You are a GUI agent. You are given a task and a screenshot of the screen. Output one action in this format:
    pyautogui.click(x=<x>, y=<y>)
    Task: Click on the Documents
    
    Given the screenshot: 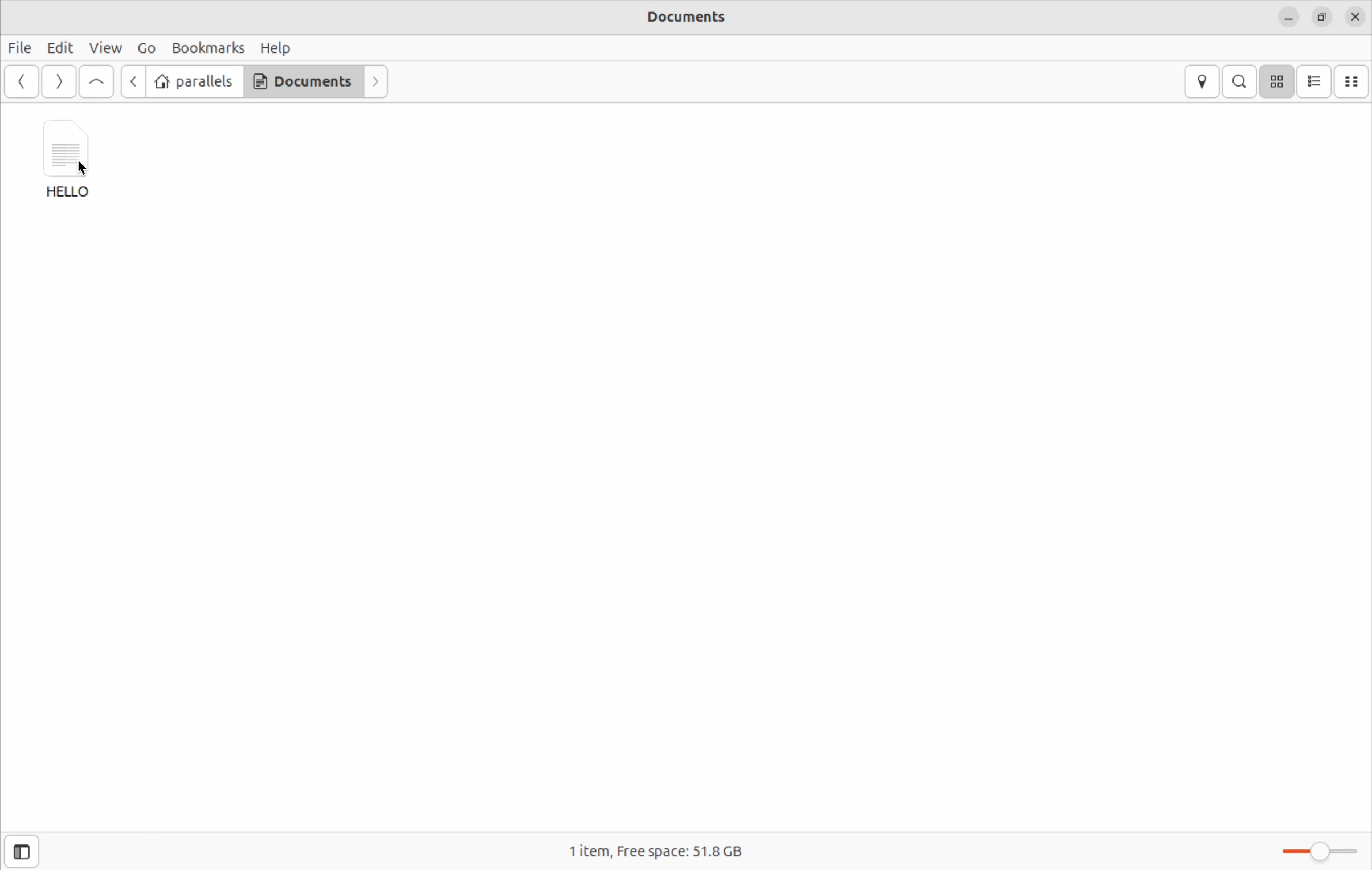 What is the action you would take?
    pyautogui.click(x=689, y=19)
    